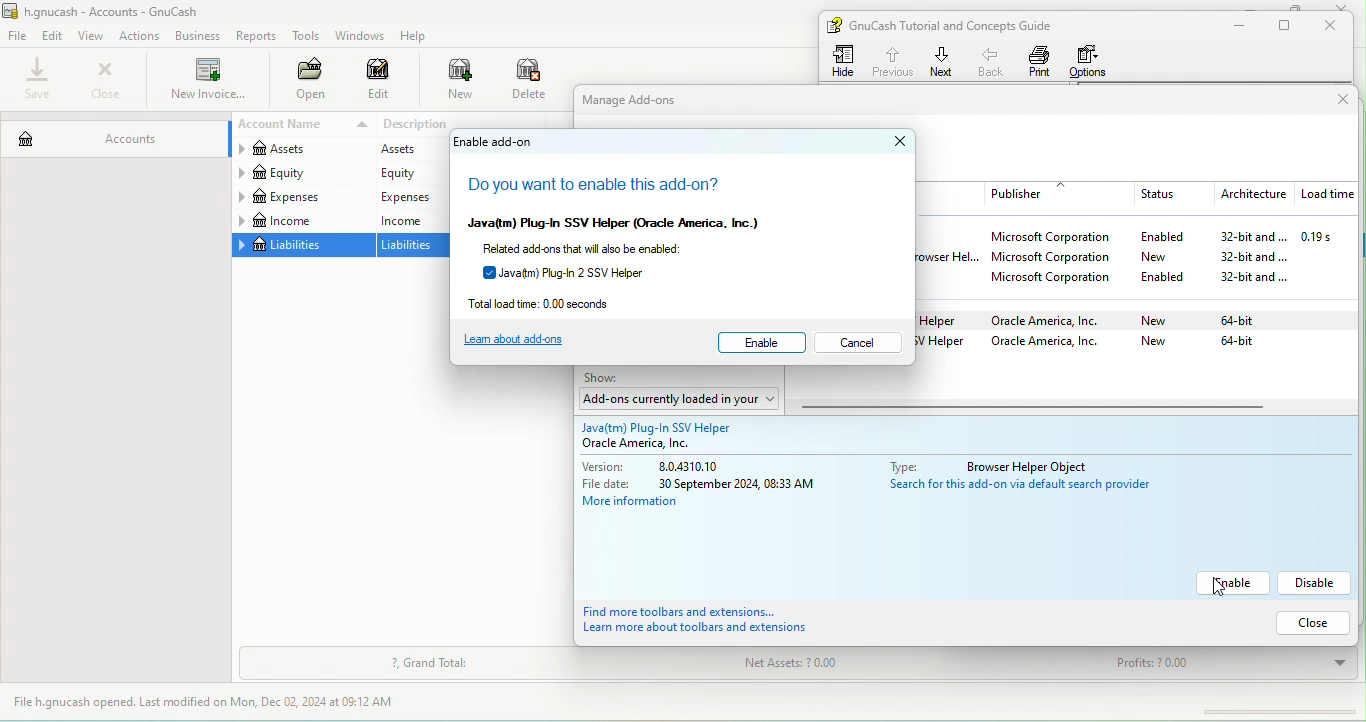 The height and width of the screenshot is (722, 1366). I want to click on edit, so click(379, 82).